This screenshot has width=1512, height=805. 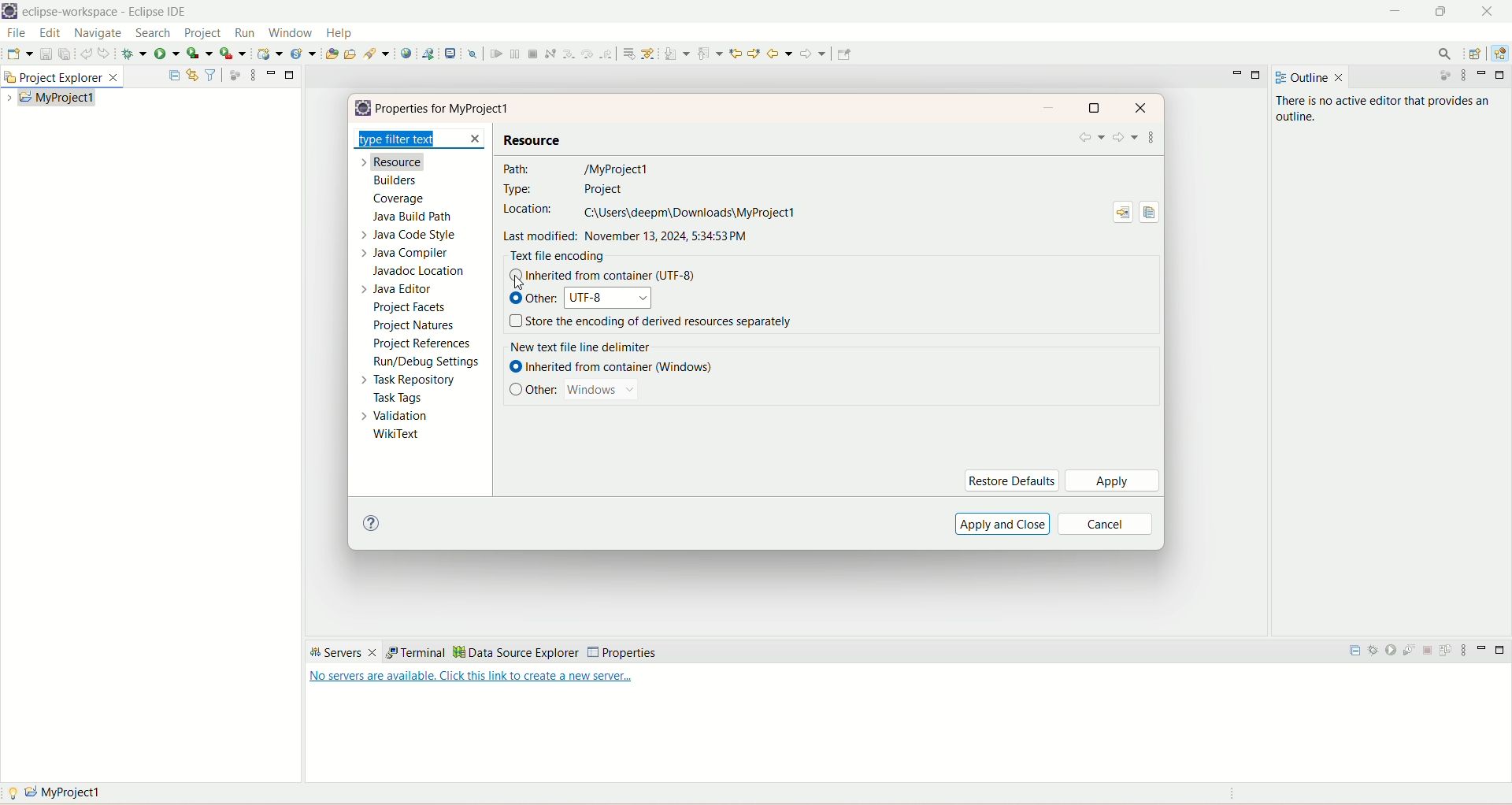 What do you see at coordinates (544, 389) in the screenshot?
I see `other` at bounding box center [544, 389].